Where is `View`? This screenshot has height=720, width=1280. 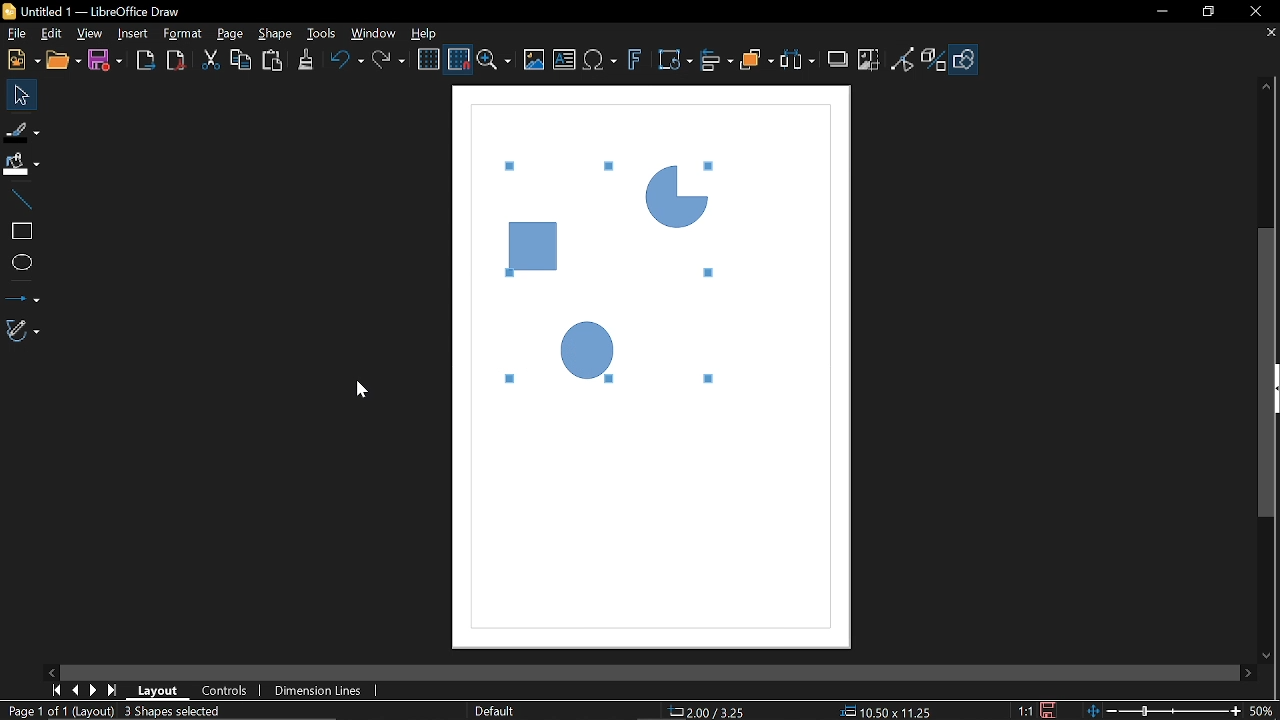 View is located at coordinates (90, 34).